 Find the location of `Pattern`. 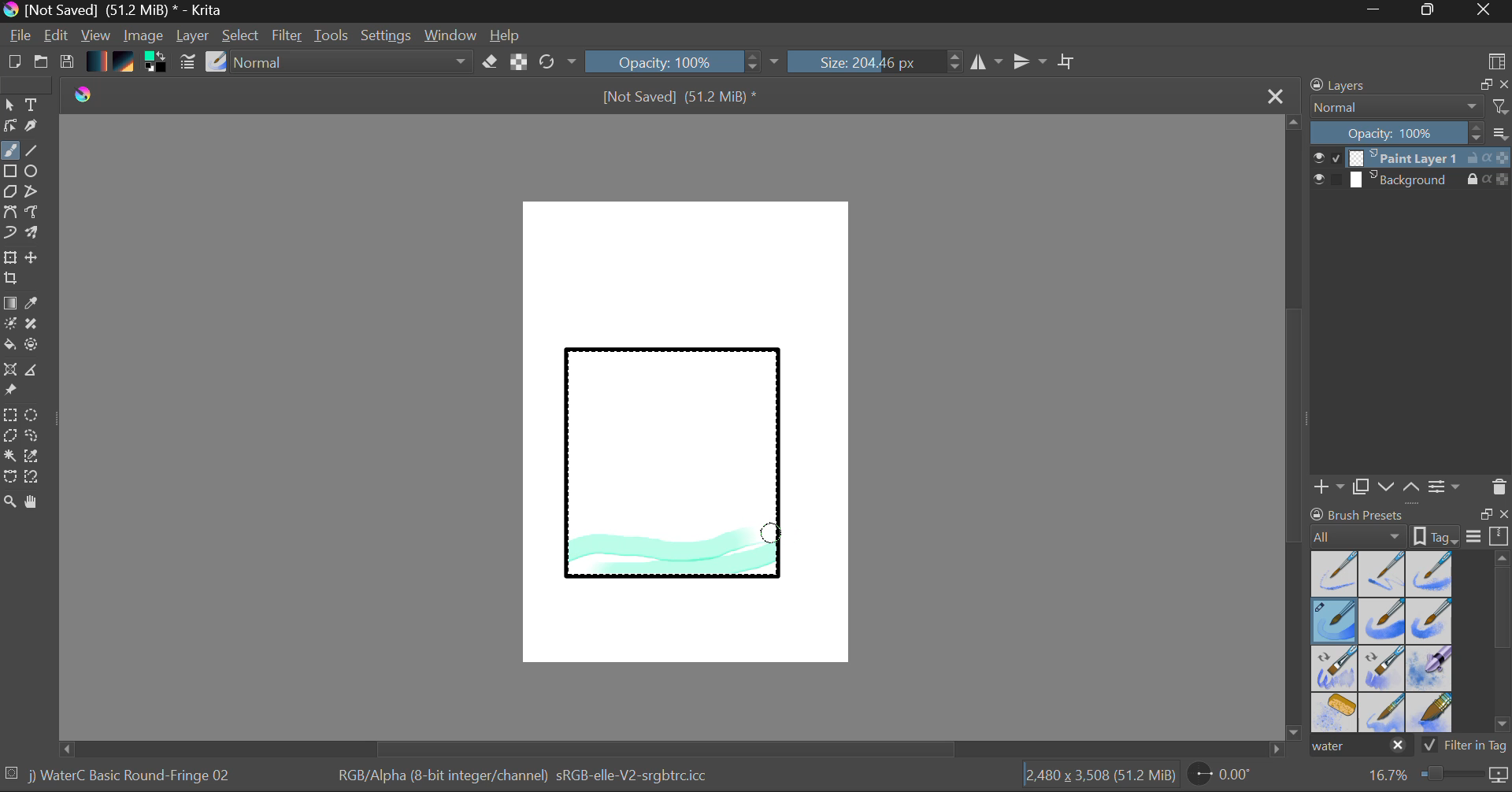

Pattern is located at coordinates (126, 63).